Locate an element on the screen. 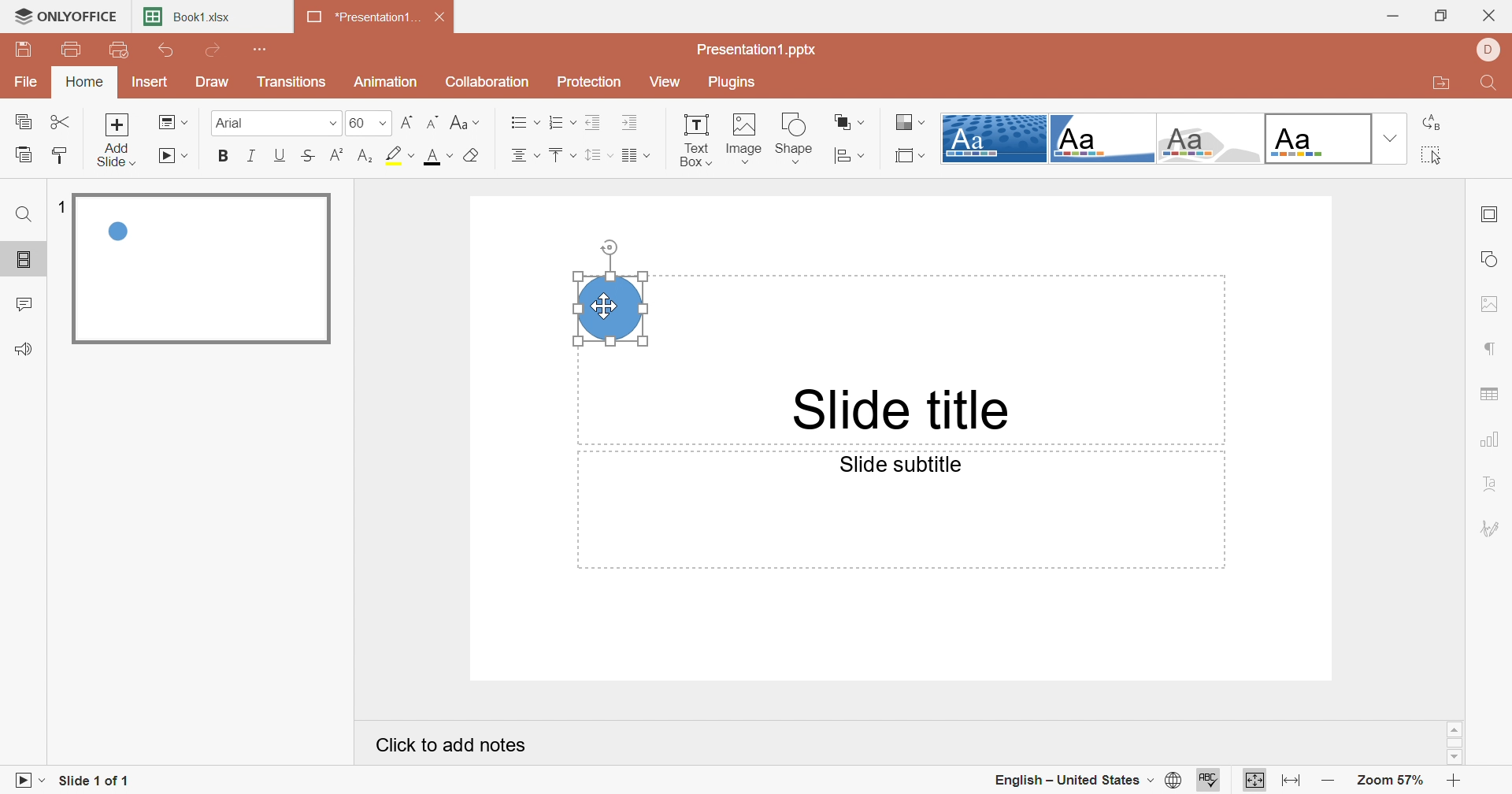  Open file location is located at coordinates (1437, 84).